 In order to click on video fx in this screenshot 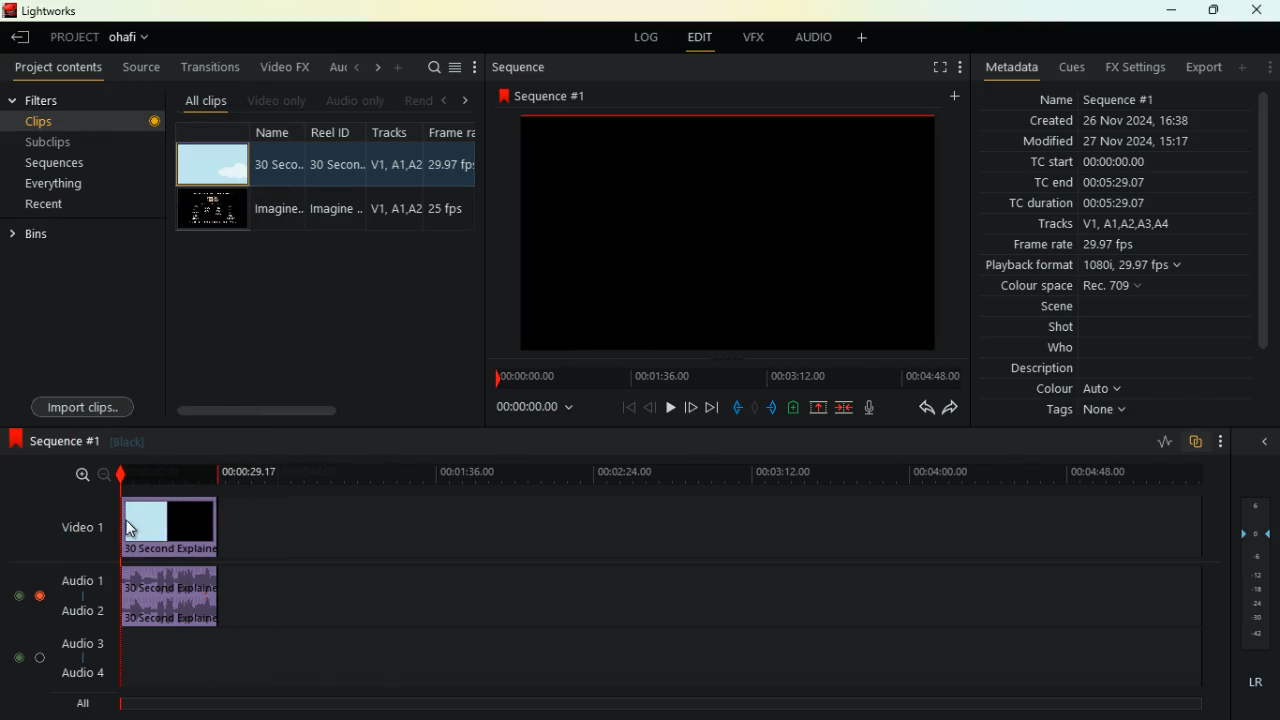, I will do `click(287, 67)`.